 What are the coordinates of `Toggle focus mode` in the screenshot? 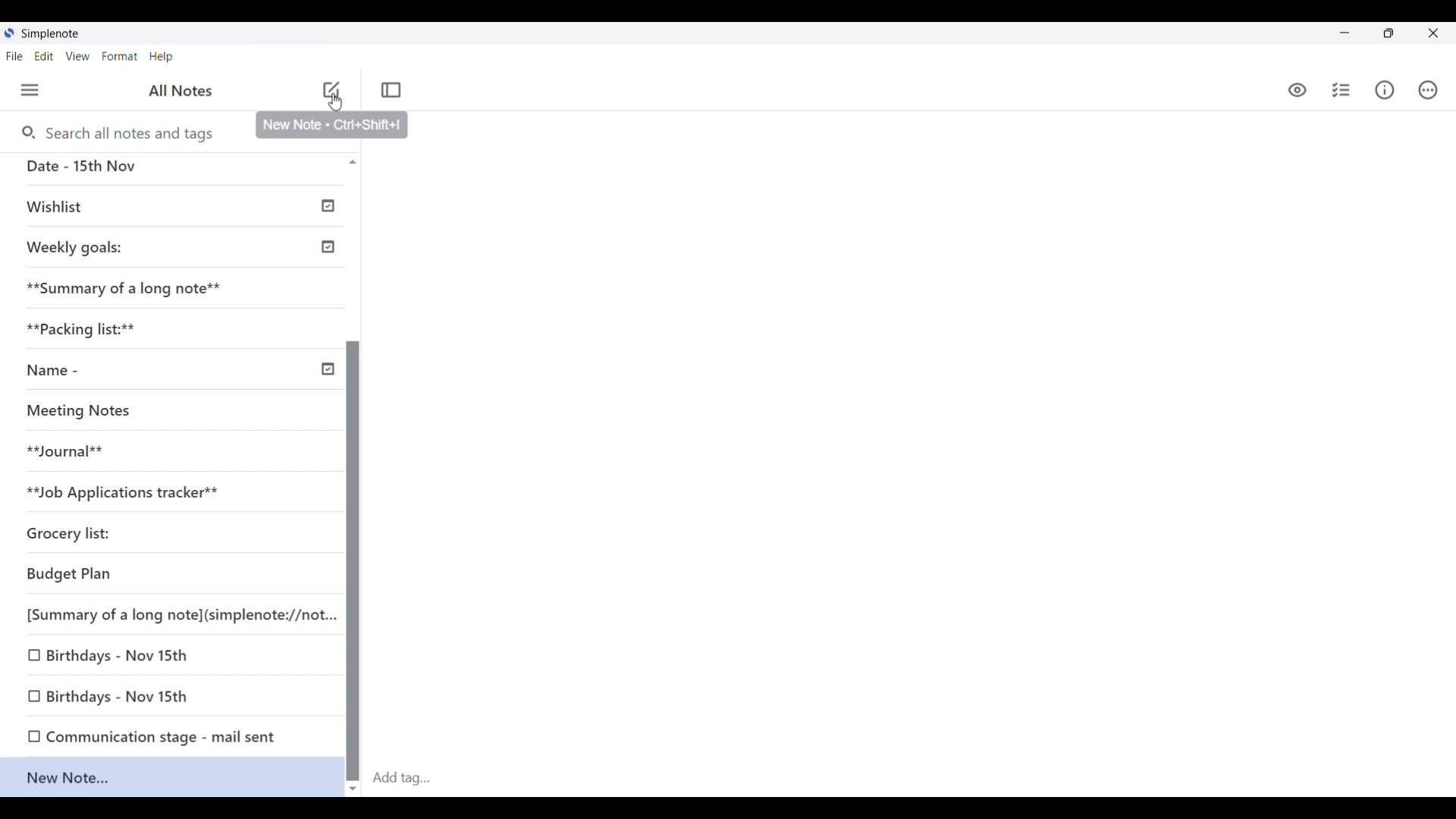 It's located at (392, 89).